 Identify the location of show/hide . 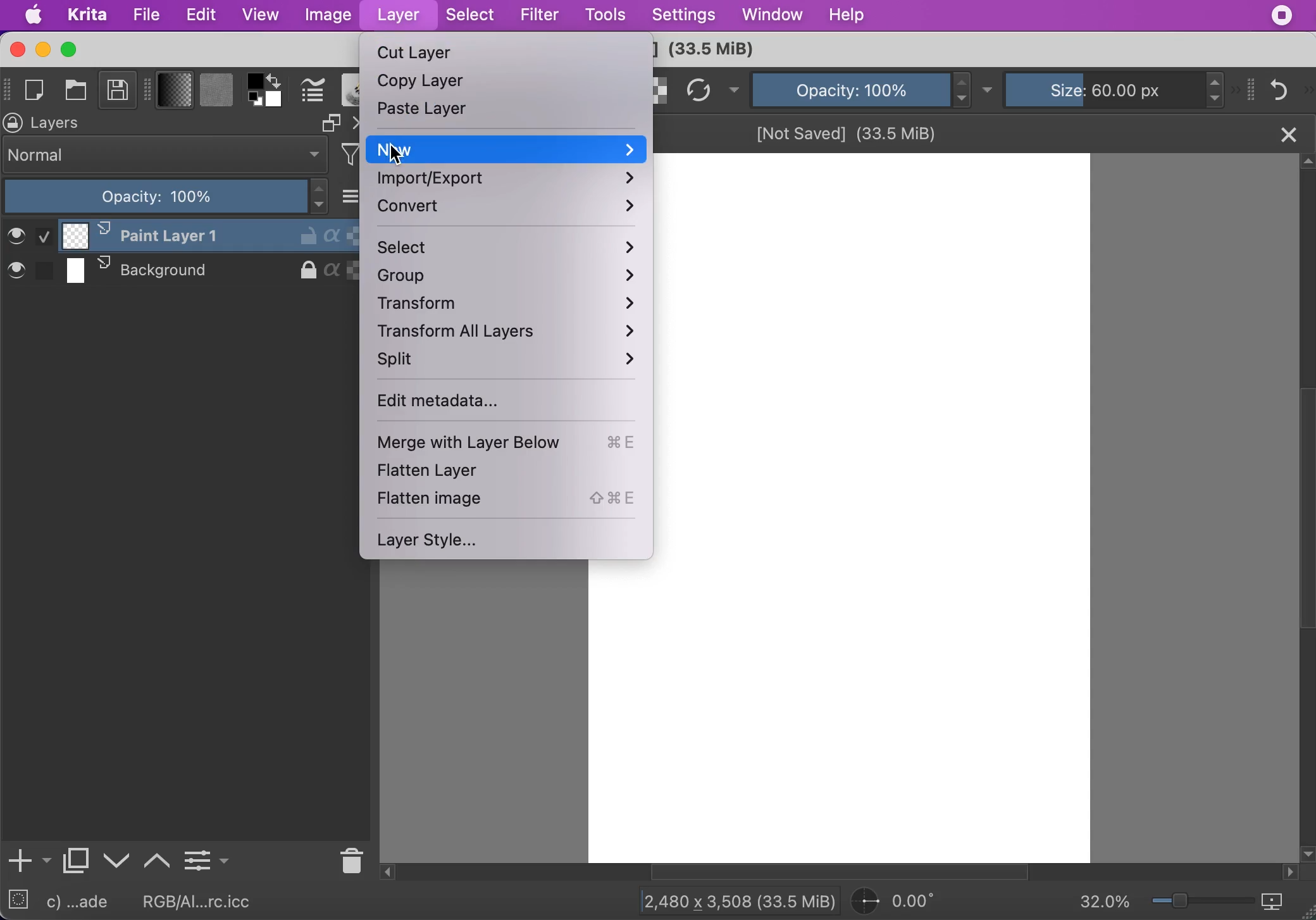
(8, 87).